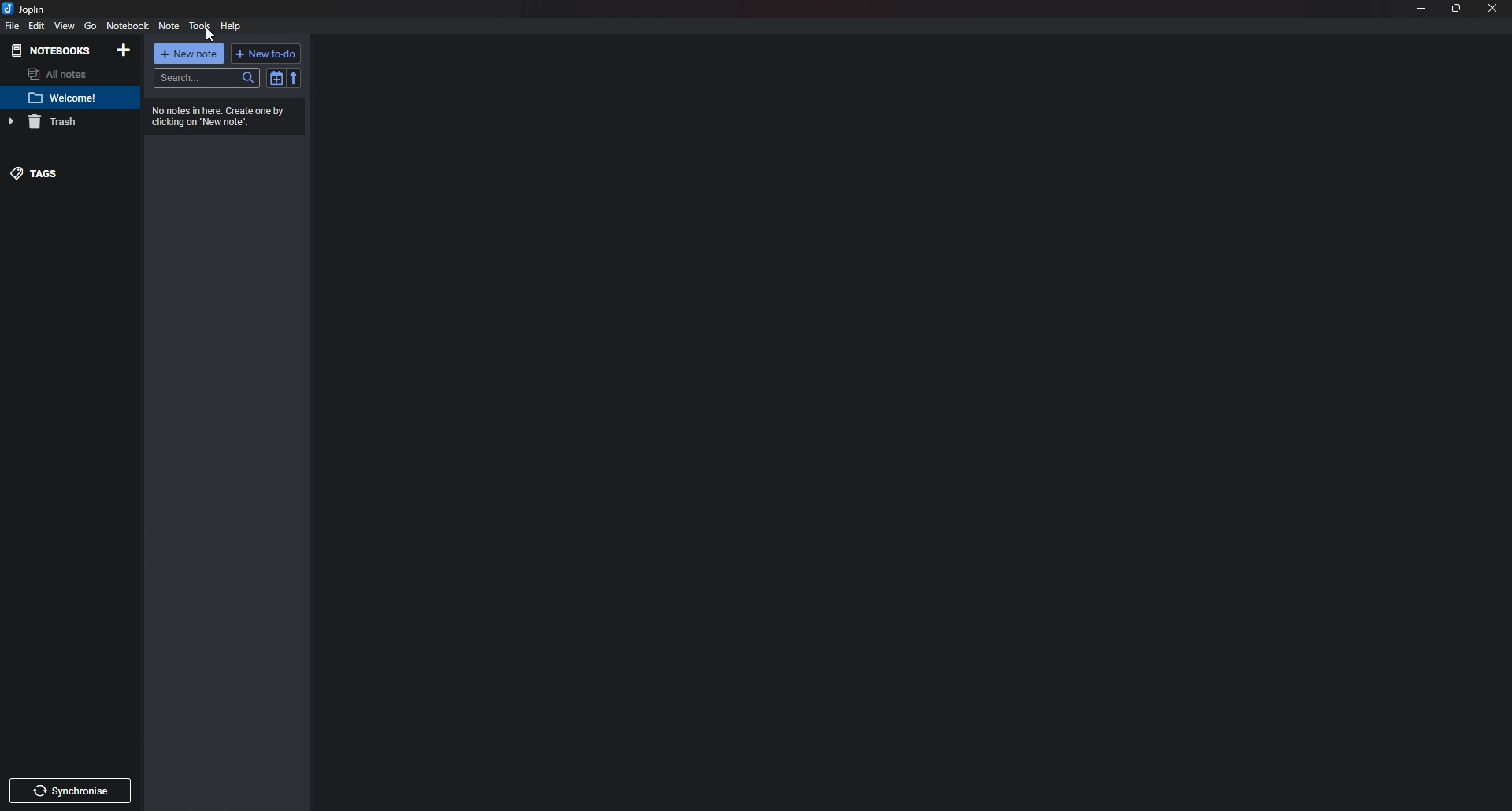 The image size is (1512, 811). What do you see at coordinates (89, 26) in the screenshot?
I see `go` at bounding box center [89, 26].